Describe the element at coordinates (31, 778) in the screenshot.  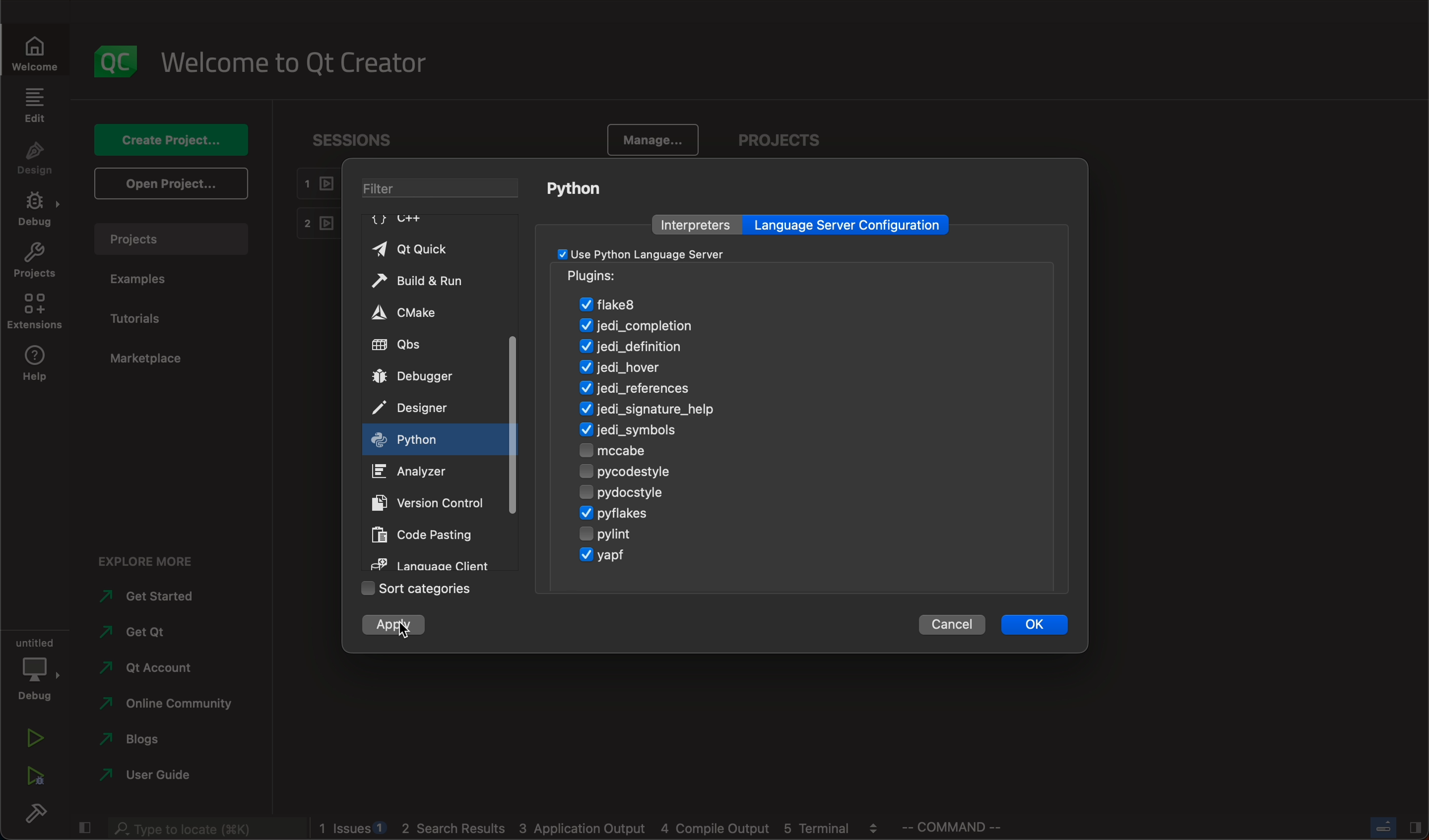
I see `run debug` at that location.